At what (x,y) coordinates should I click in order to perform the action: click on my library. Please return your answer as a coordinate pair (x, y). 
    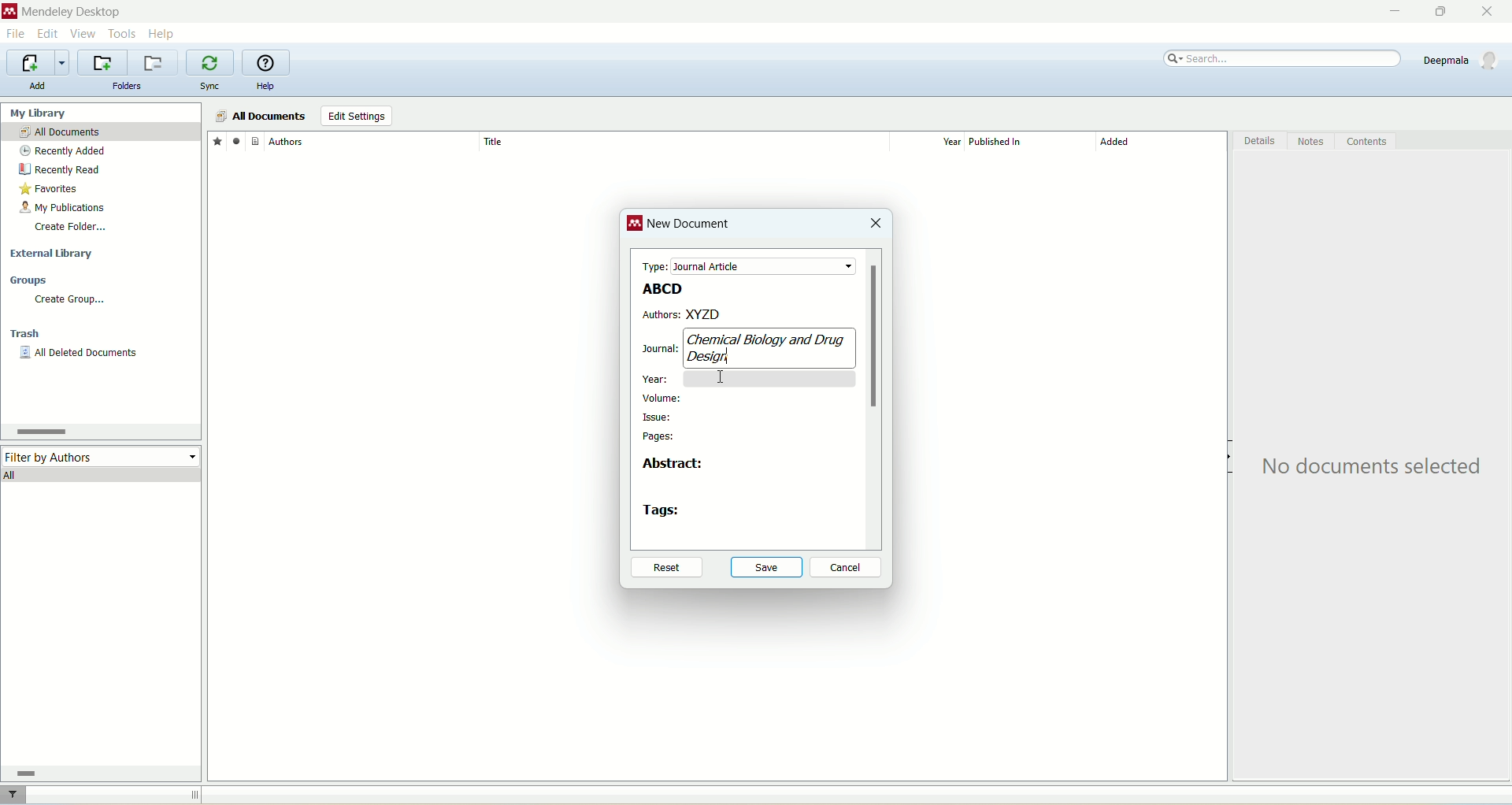
    Looking at the image, I should click on (40, 113).